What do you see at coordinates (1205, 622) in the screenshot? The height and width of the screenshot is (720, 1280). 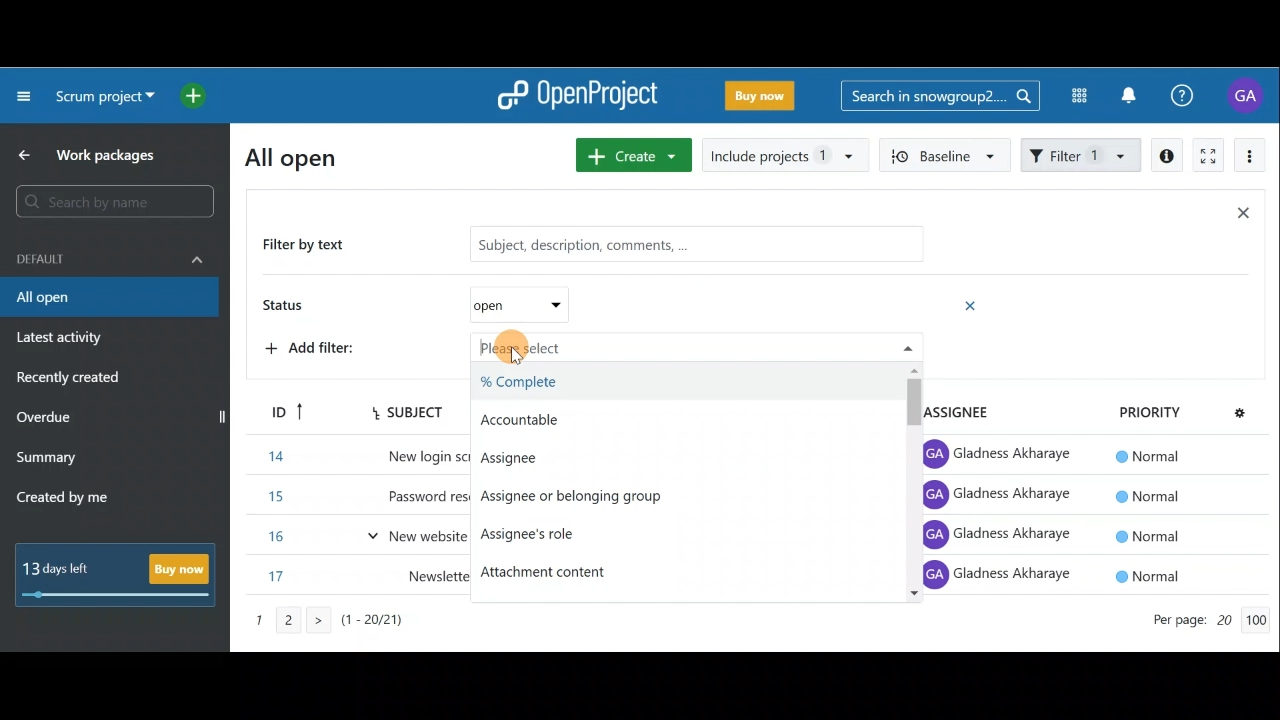 I see `Page count` at bounding box center [1205, 622].